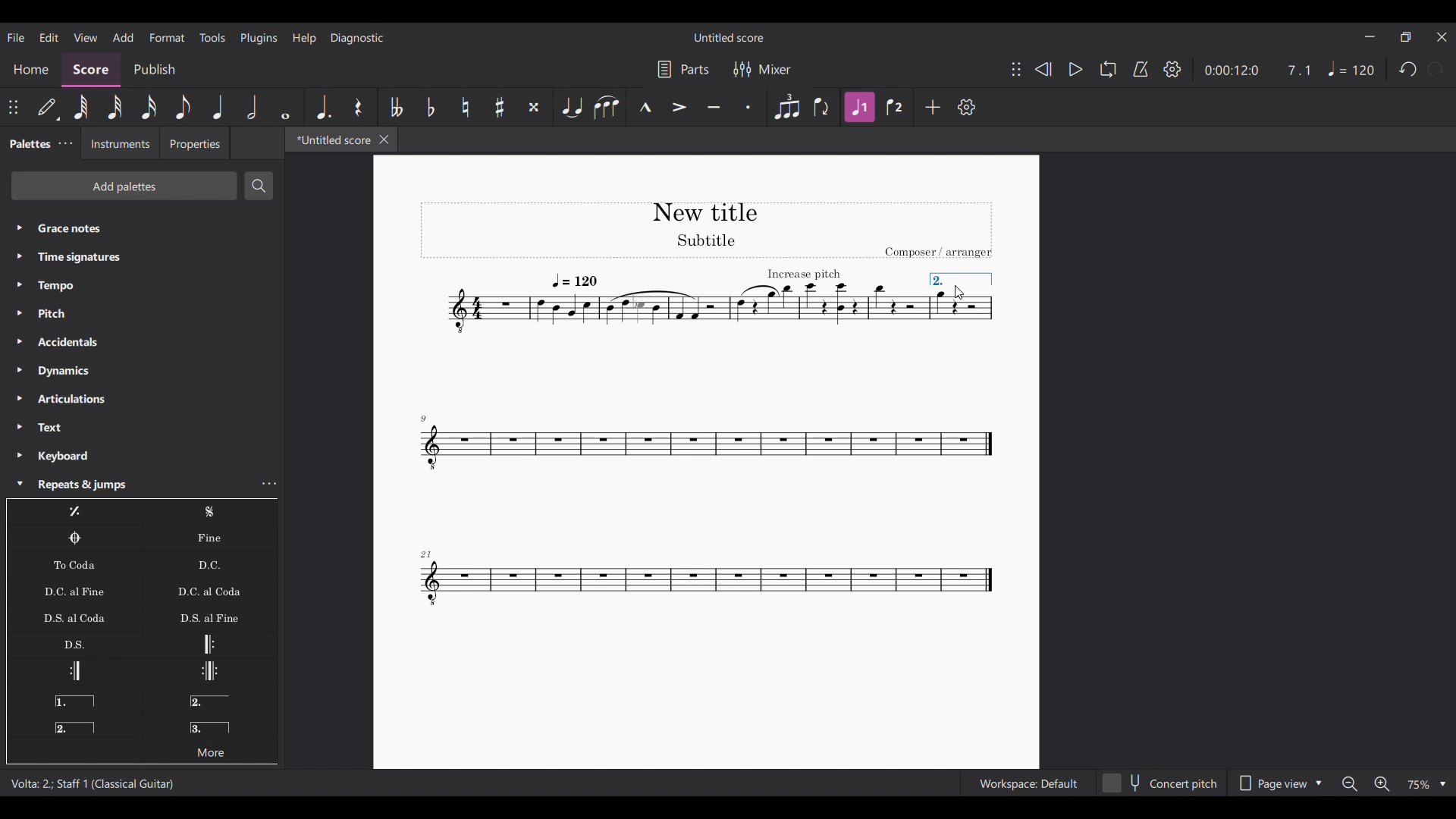 Image resolution: width=1456 pixels, height=819 pixels. Describe the element at coordinates (572, 107) in the screenshot. I see `Tie` at that location.